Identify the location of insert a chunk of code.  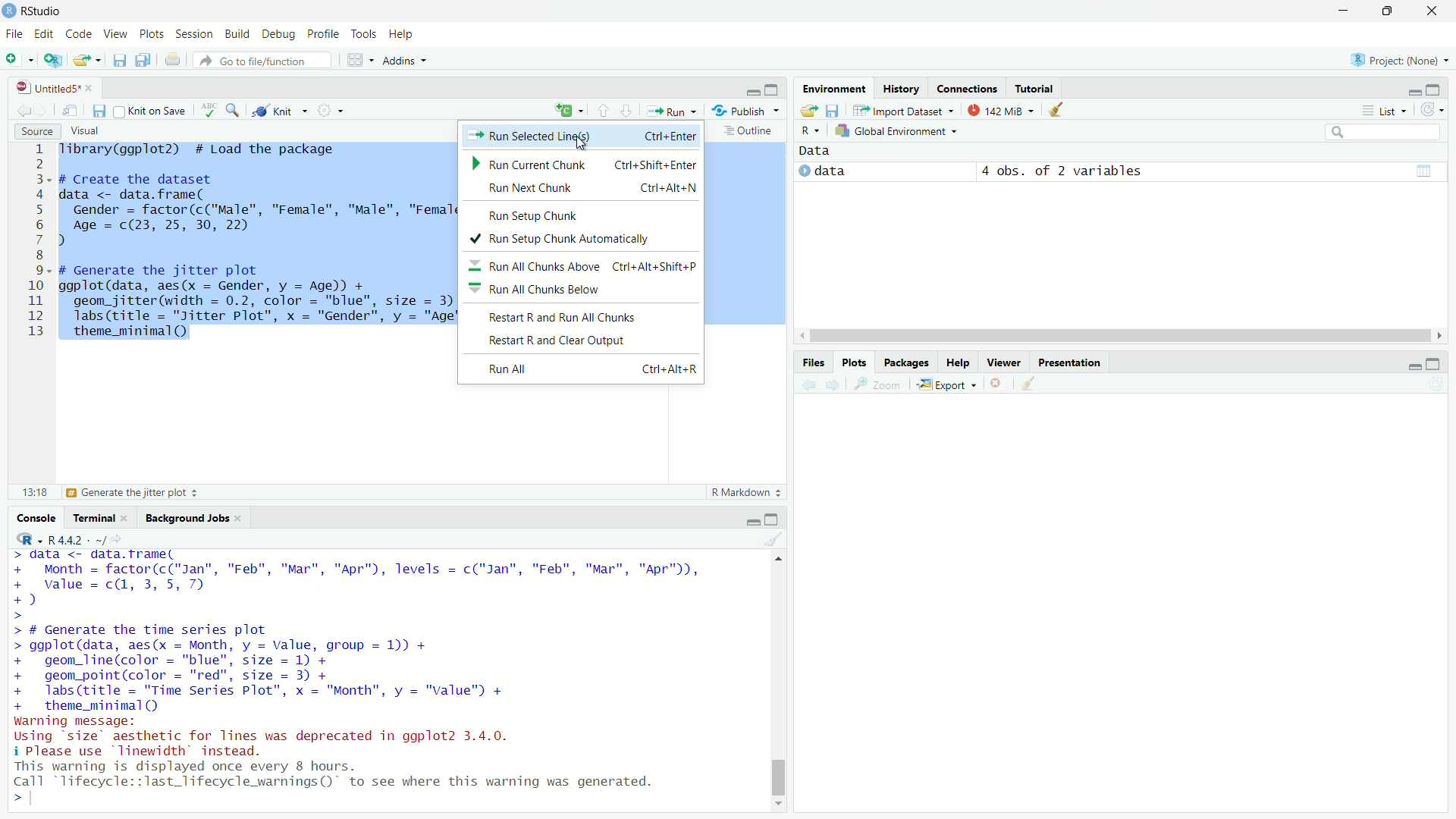
(569, 108).